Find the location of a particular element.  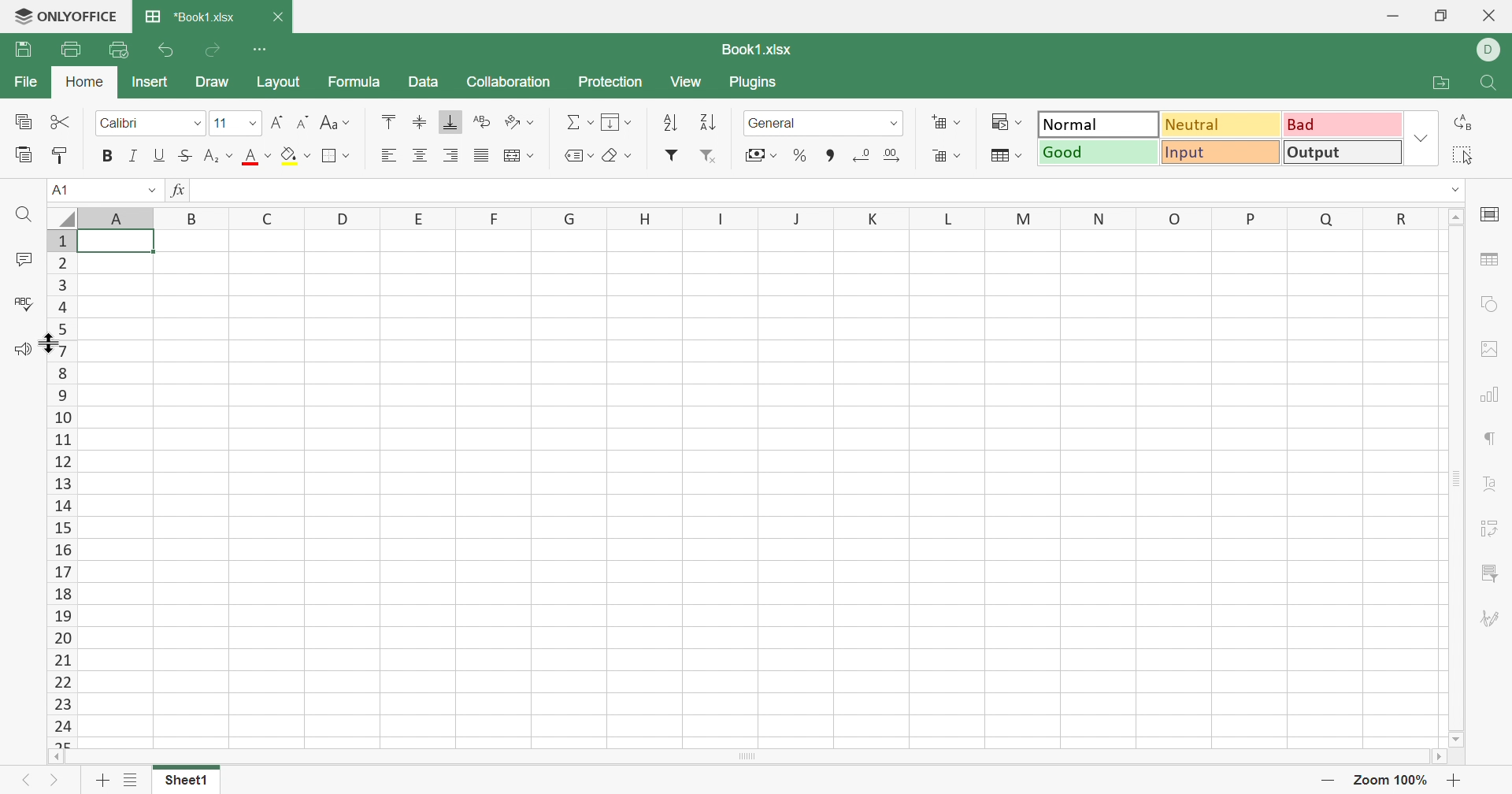

Copy is located at coordinates (26, 122).